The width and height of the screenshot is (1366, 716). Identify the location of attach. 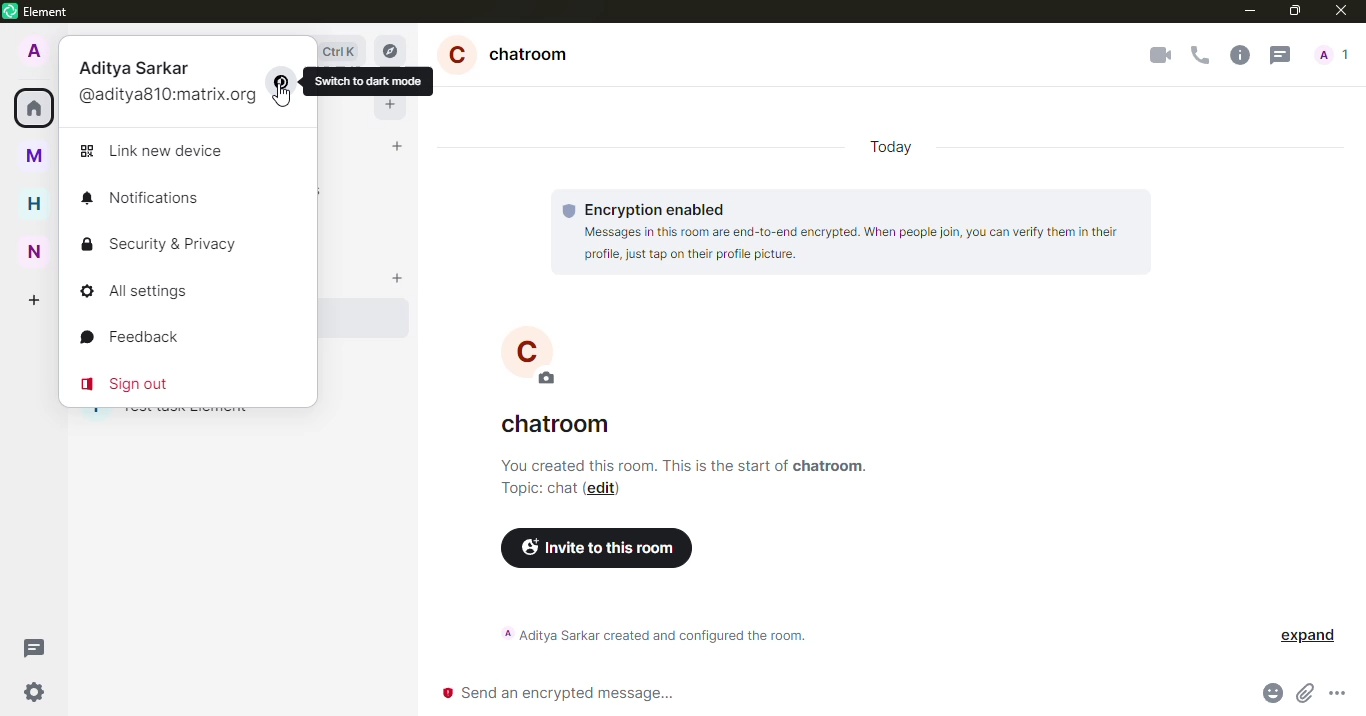
(1304, 694).